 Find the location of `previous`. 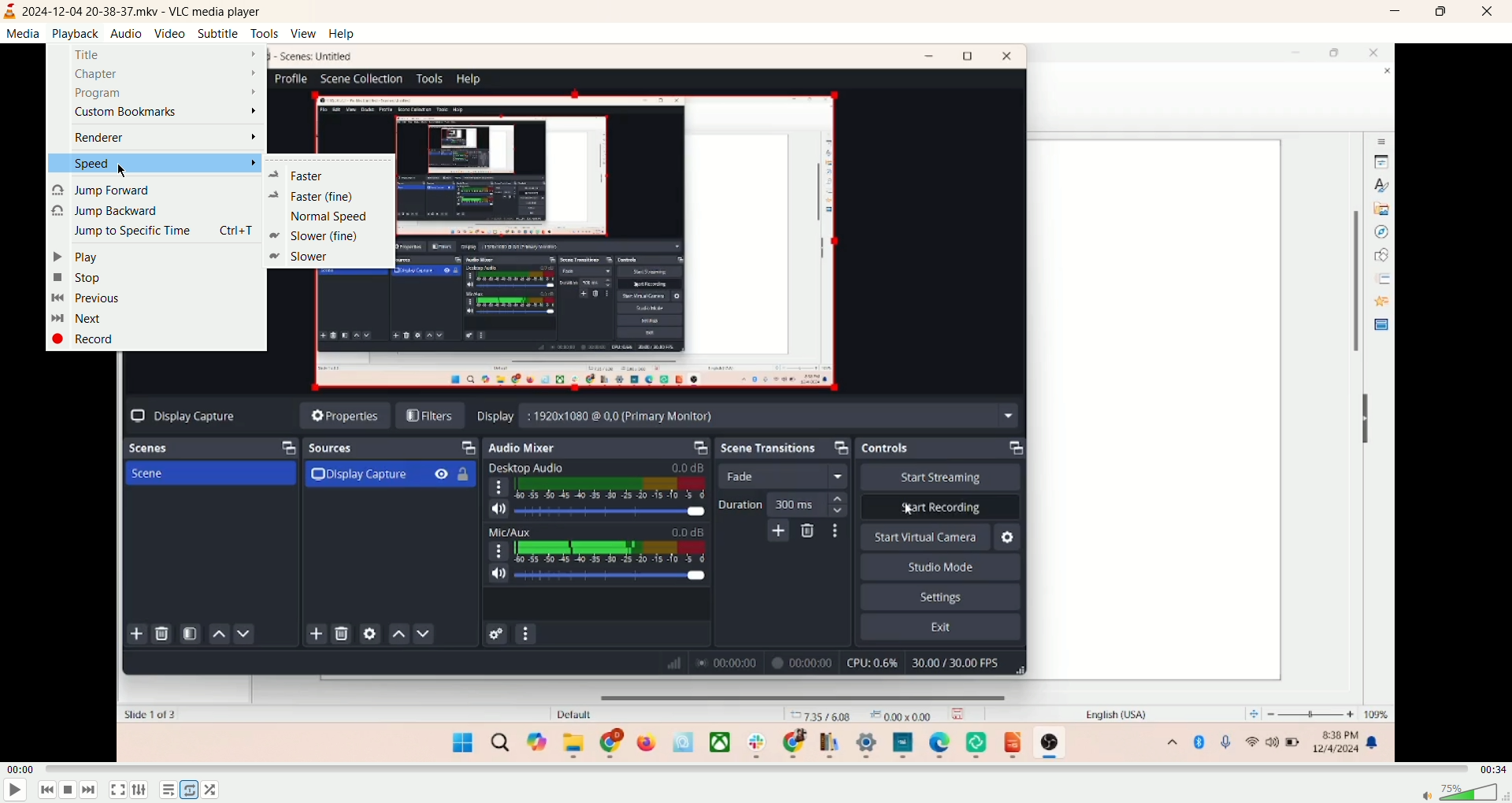

previous is located at coordinates (46, 793).